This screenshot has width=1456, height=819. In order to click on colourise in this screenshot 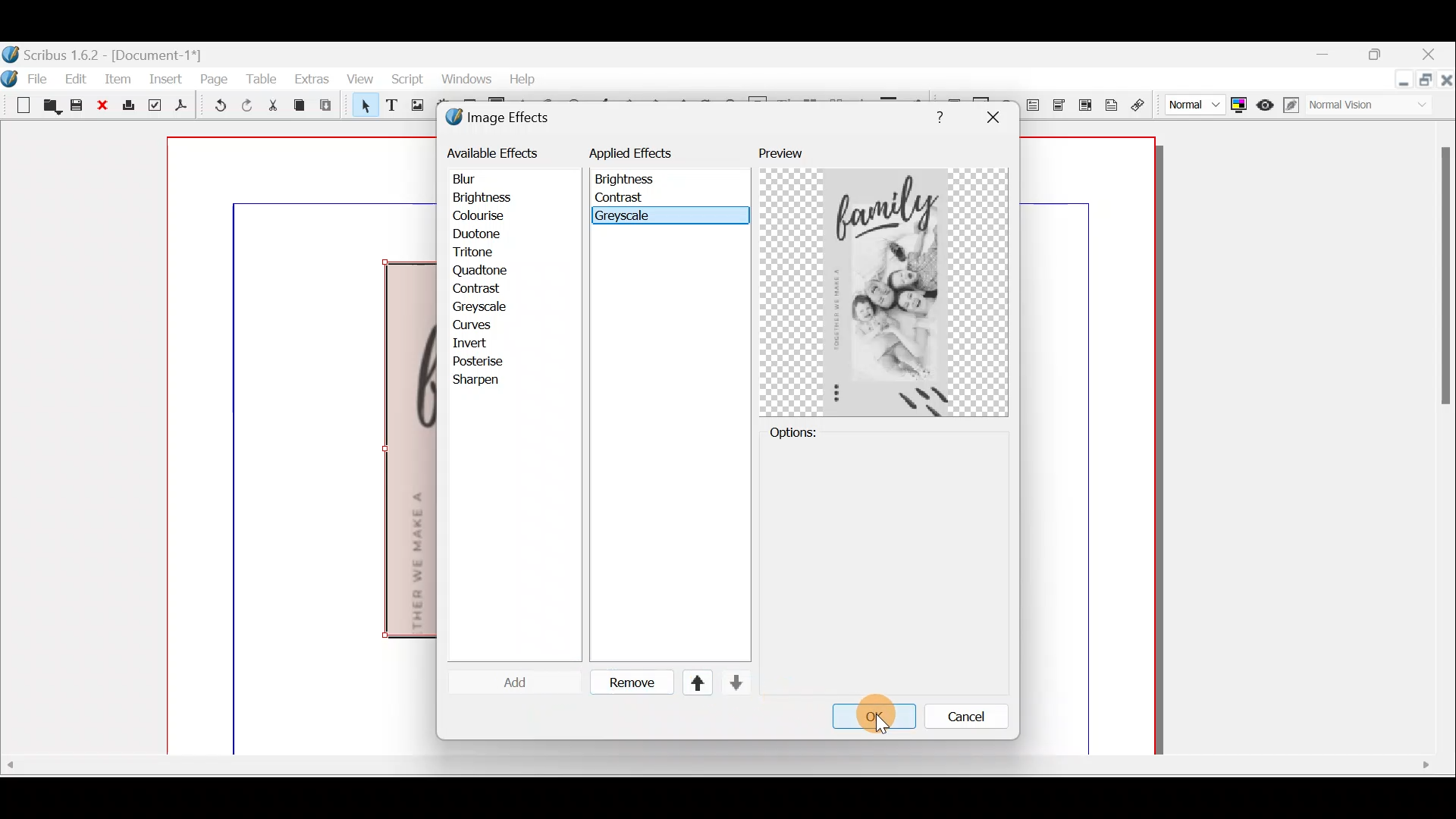, I will do `click(488, 215)`.